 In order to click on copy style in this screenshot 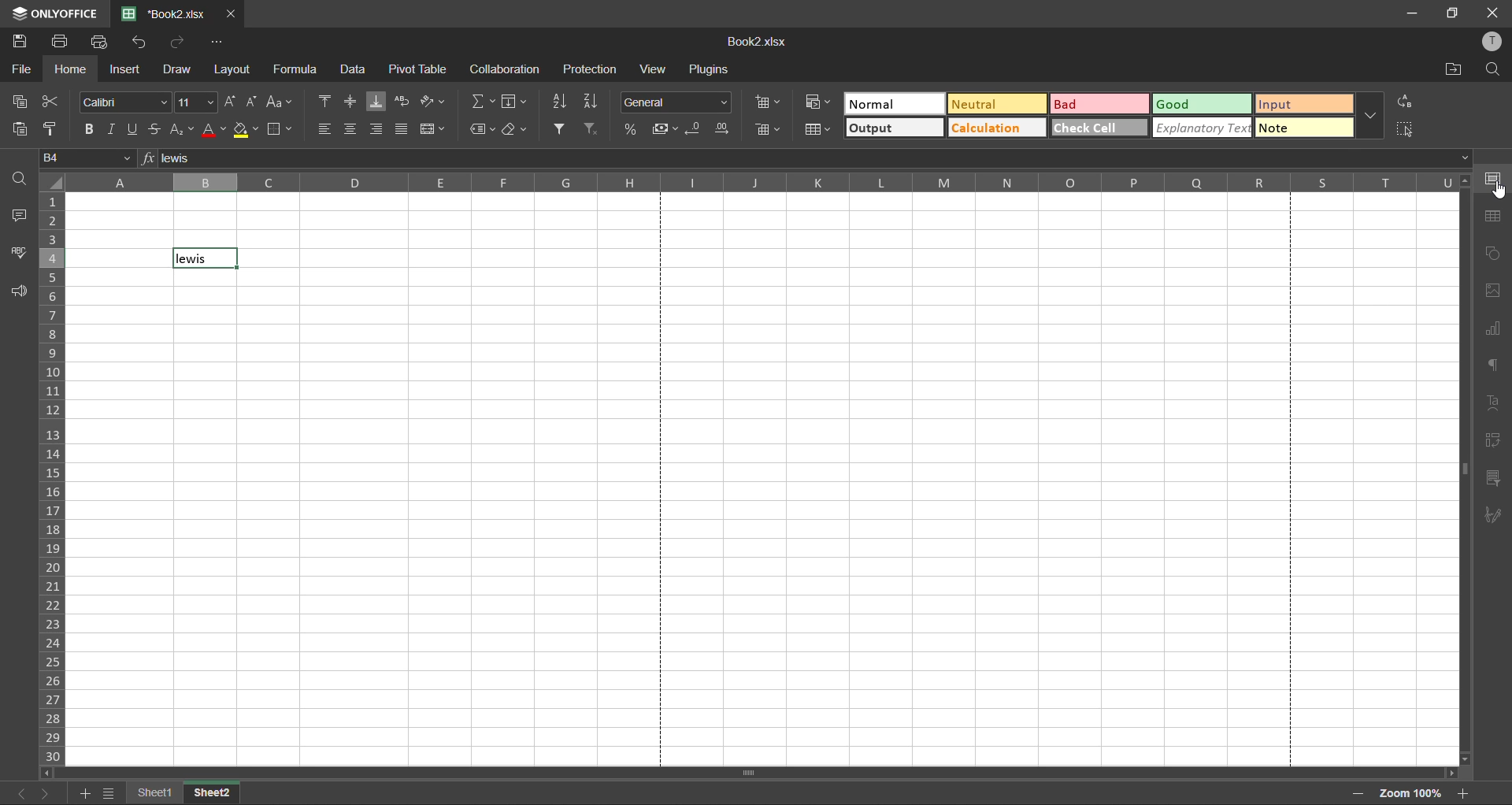, I will do `click(57, 131)`.